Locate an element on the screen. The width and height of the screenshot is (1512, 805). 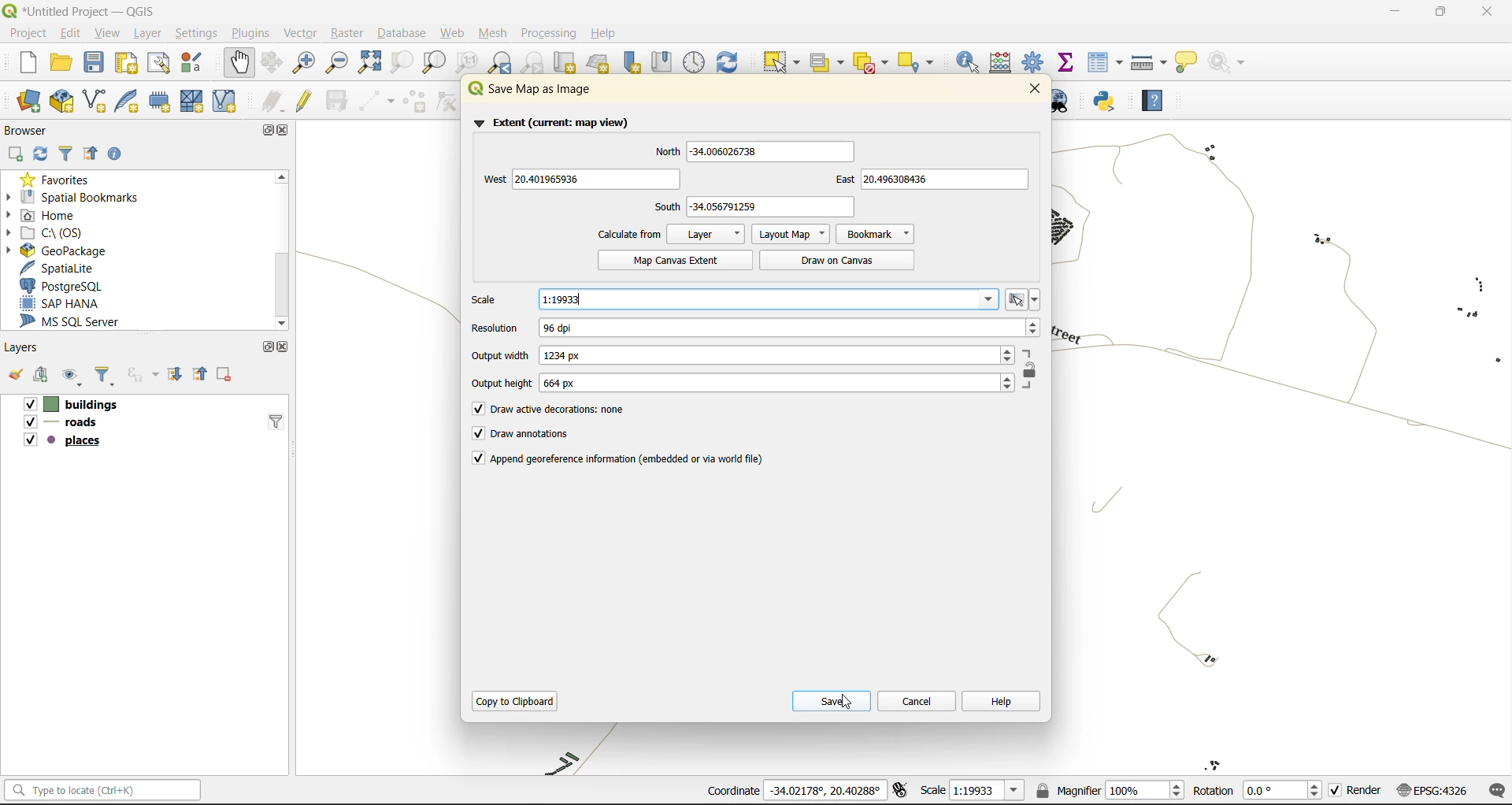
crs is located at coordinates (1428, 788).